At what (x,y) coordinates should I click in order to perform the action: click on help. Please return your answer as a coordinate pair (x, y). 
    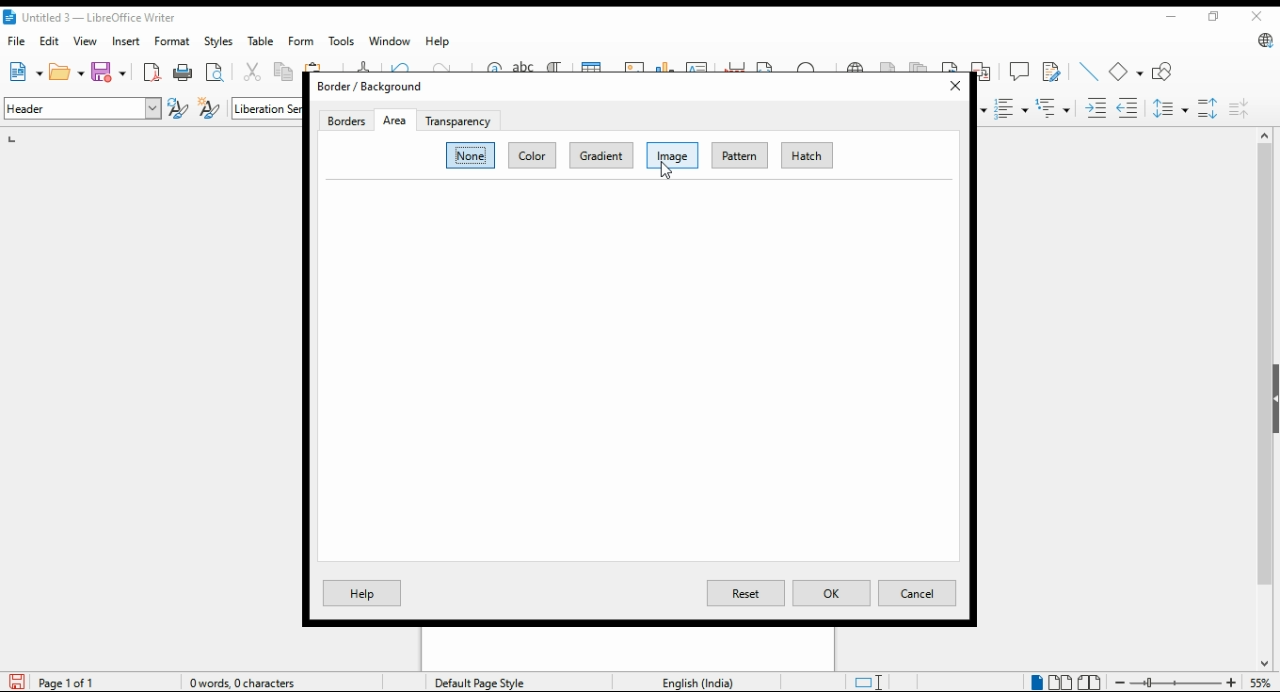
    Looking at the image, I should click on (365, 593).